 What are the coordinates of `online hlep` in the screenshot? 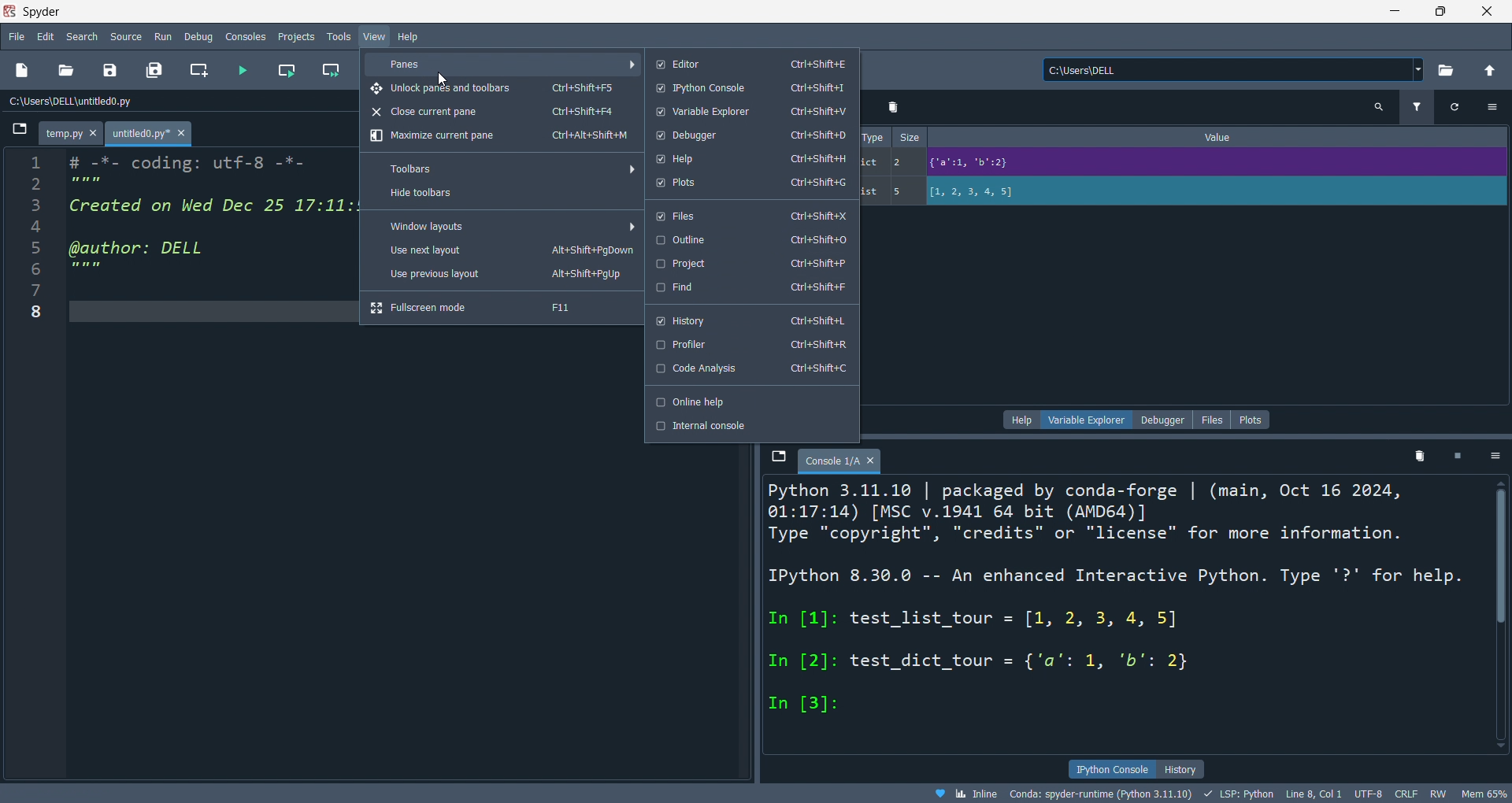 It's located at (750, 399).